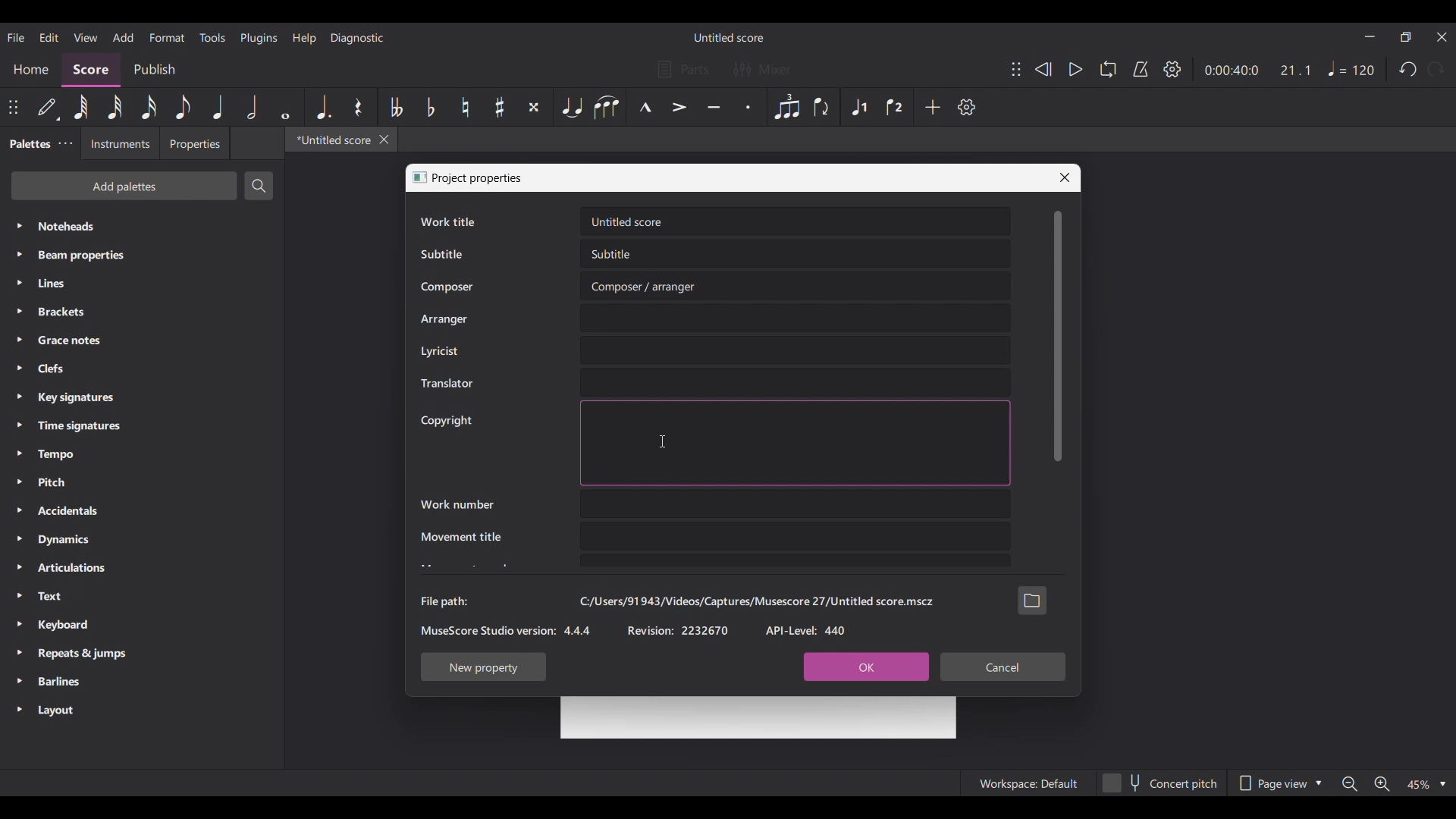  What do you see at coordinates (92, 70) in the screenshot?
I see `Score, current section` at bounding box center [92, 70].